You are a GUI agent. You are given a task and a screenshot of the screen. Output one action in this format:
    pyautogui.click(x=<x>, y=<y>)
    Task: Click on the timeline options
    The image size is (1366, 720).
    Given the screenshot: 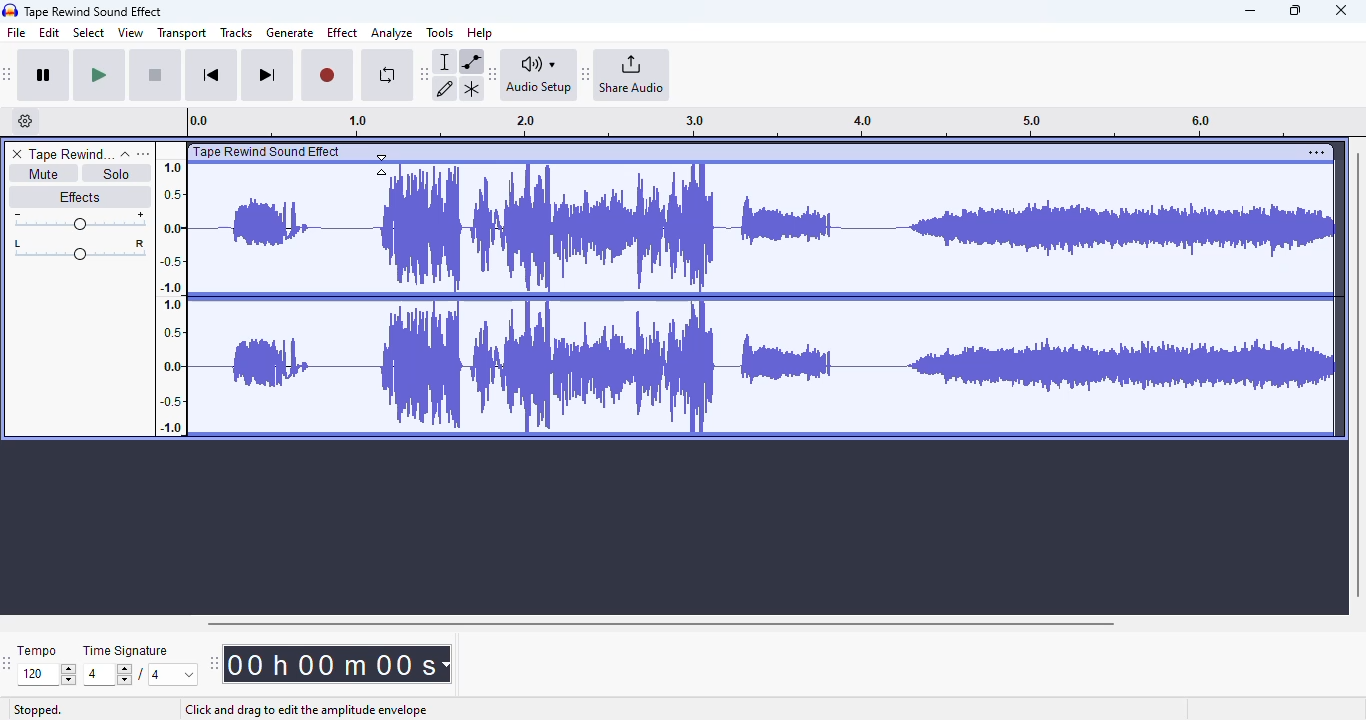 What is the action you would take?
    pyautogui.click(x=26, y=121)
    